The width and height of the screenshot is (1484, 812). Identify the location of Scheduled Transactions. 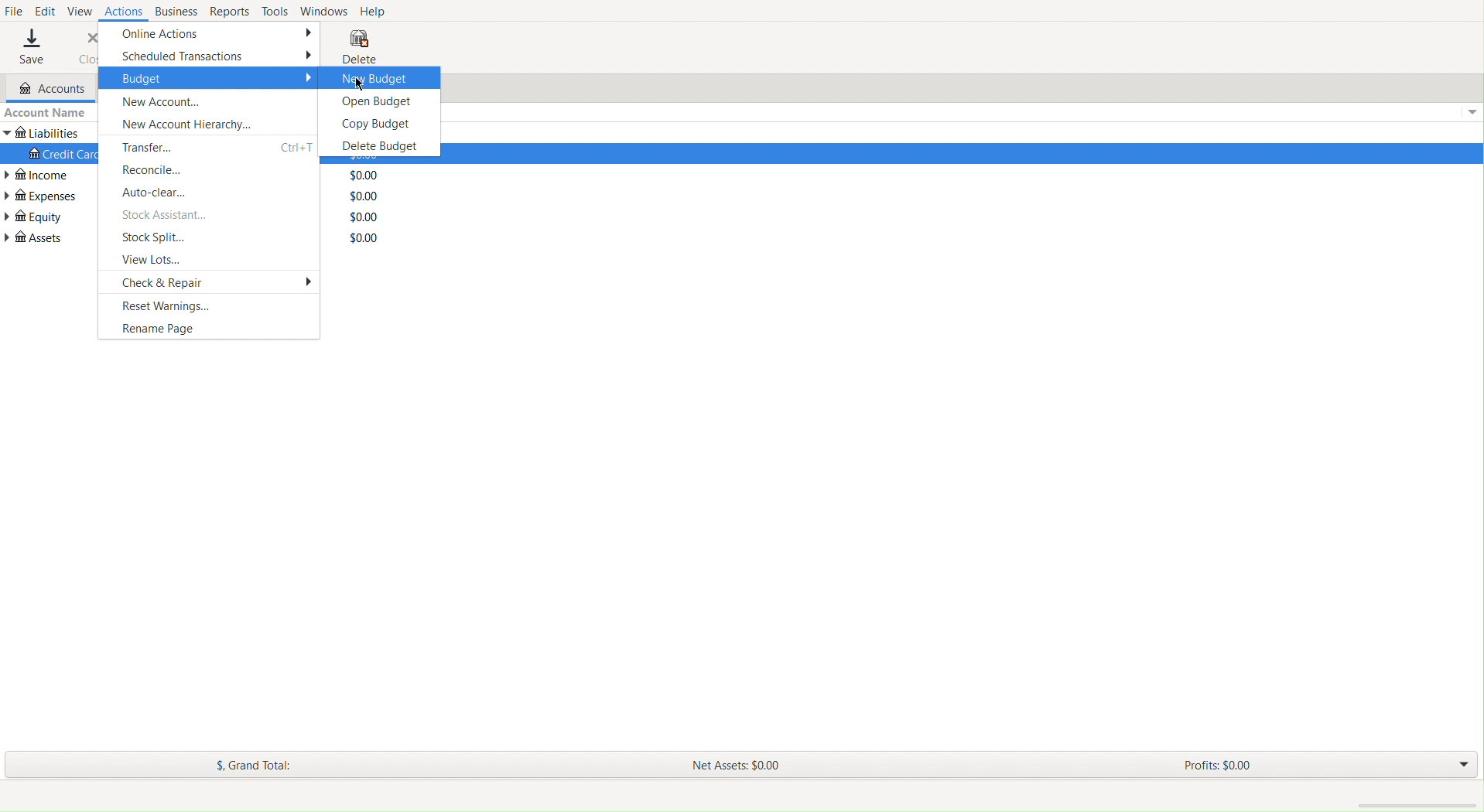
(211, 56).